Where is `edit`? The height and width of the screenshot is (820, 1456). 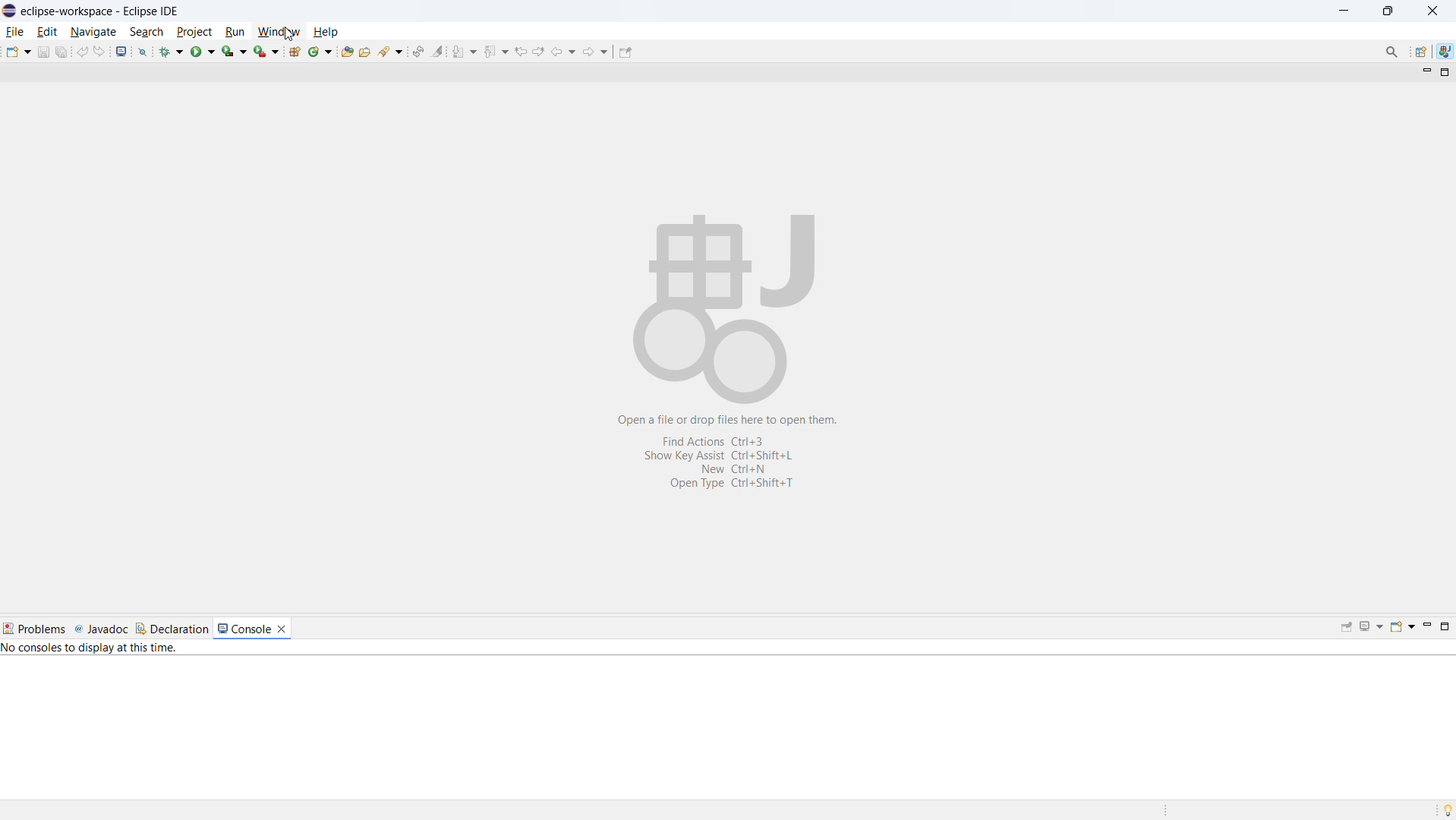
edit is located at coordinates (48, 32).